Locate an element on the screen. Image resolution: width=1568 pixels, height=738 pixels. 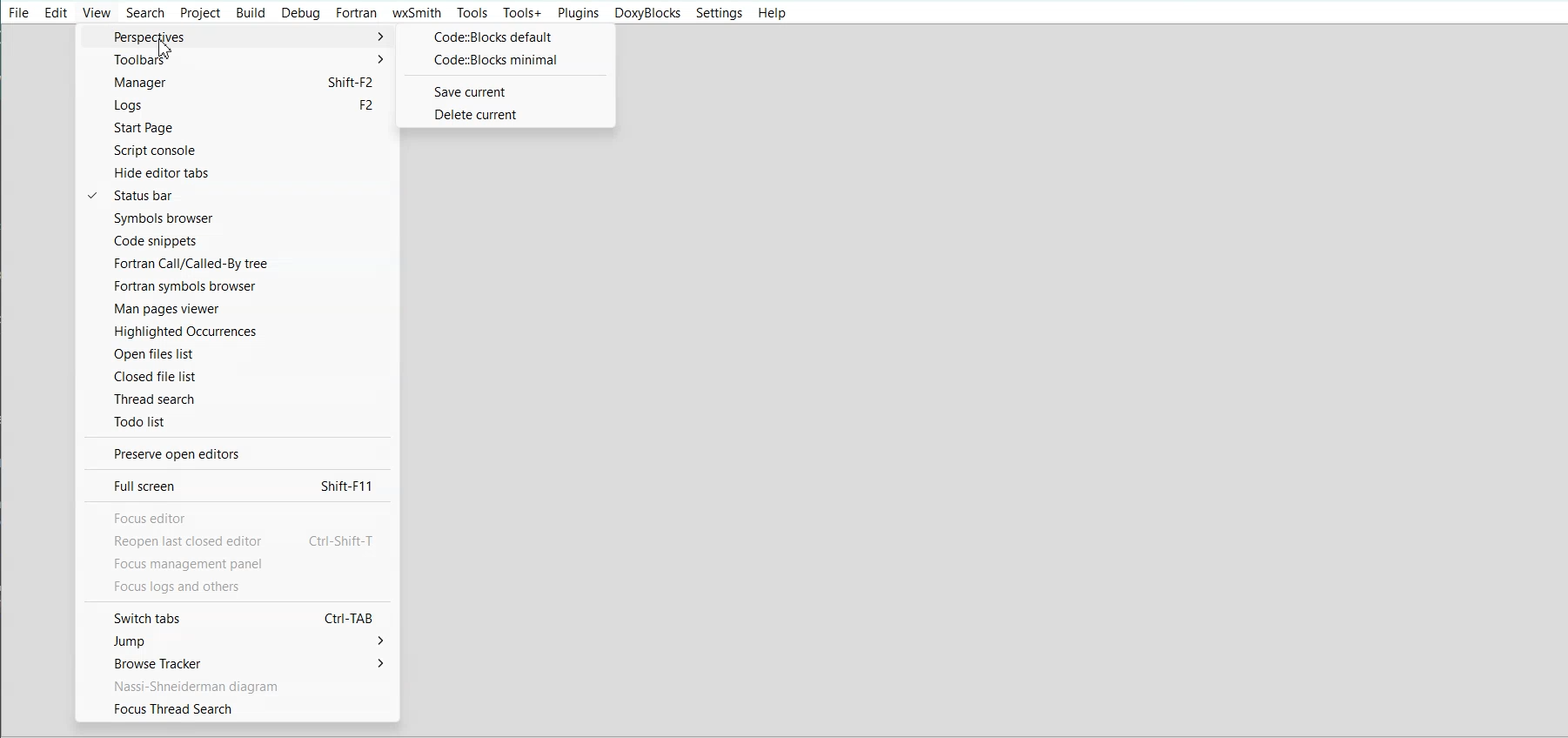
Code snippets is located at coordinates (239, 240).